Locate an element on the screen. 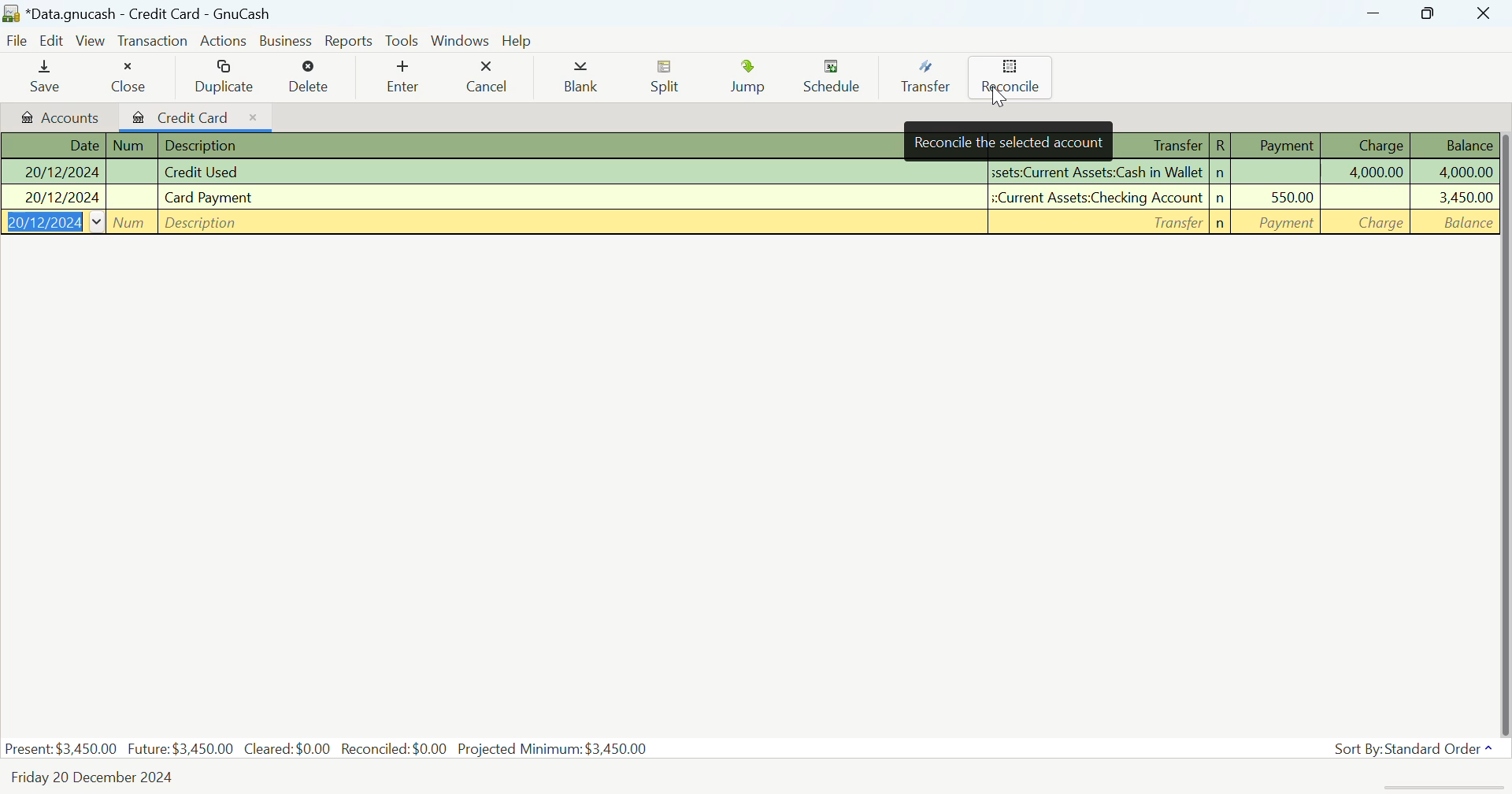 The width and height of the screenshot is (1512, 794). Blank is located at coordinates (584, 76).